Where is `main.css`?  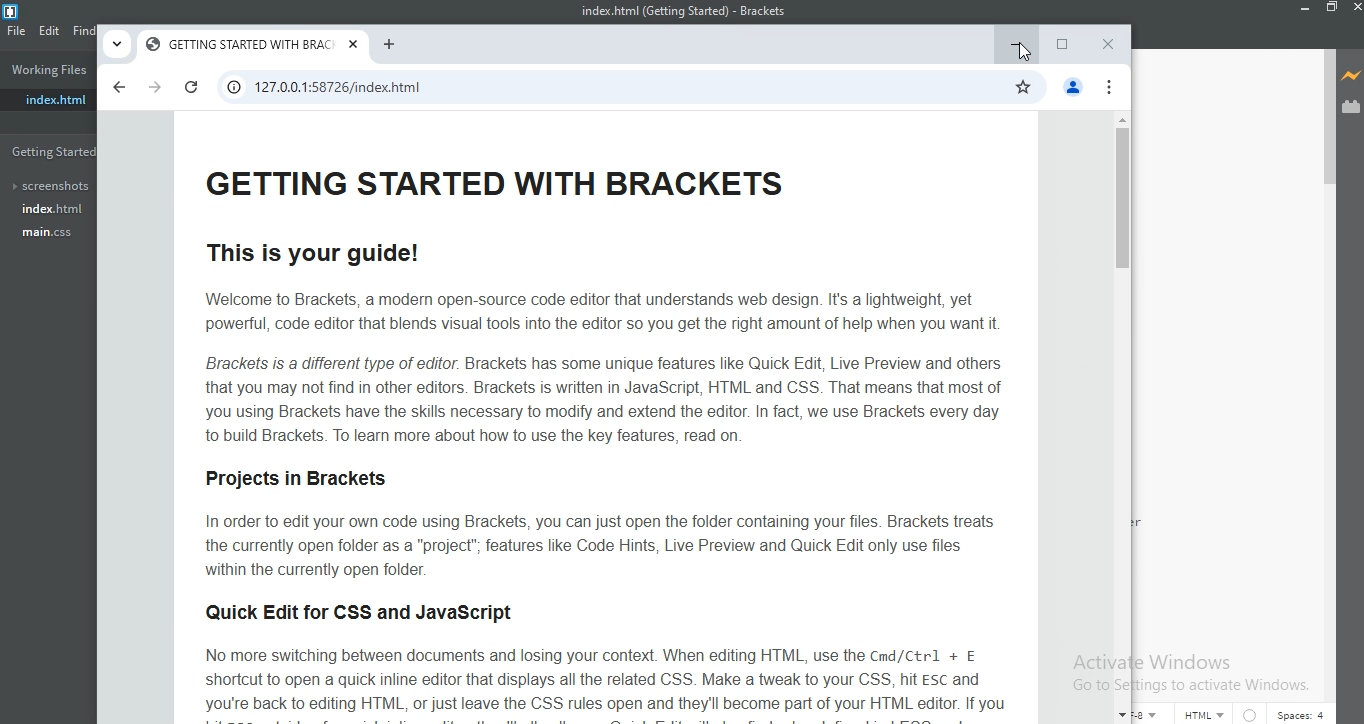 main.css is located at coordinates (51, 236).